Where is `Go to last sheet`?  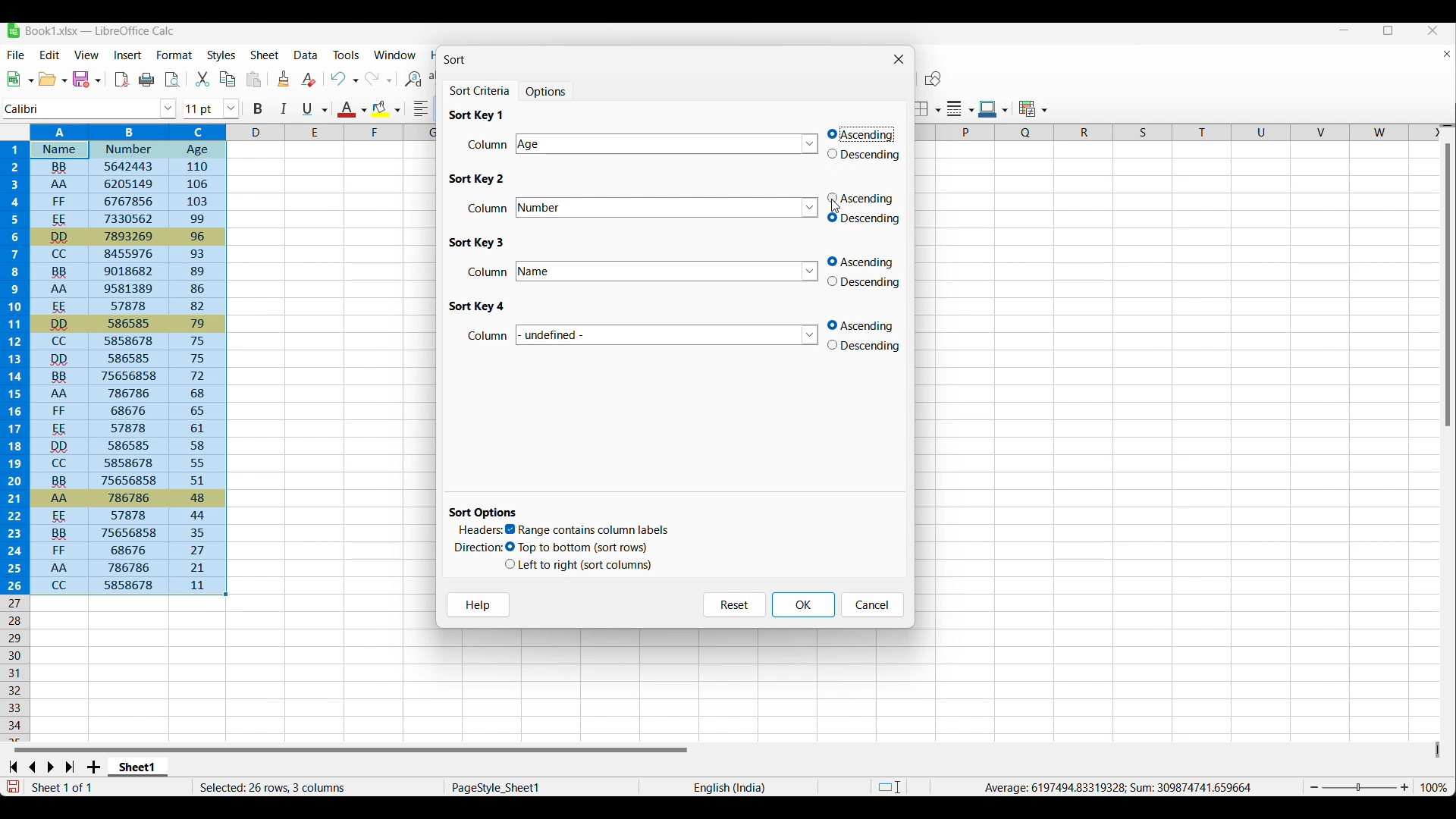 Go to last sheet is located at coordinates (70, 767).